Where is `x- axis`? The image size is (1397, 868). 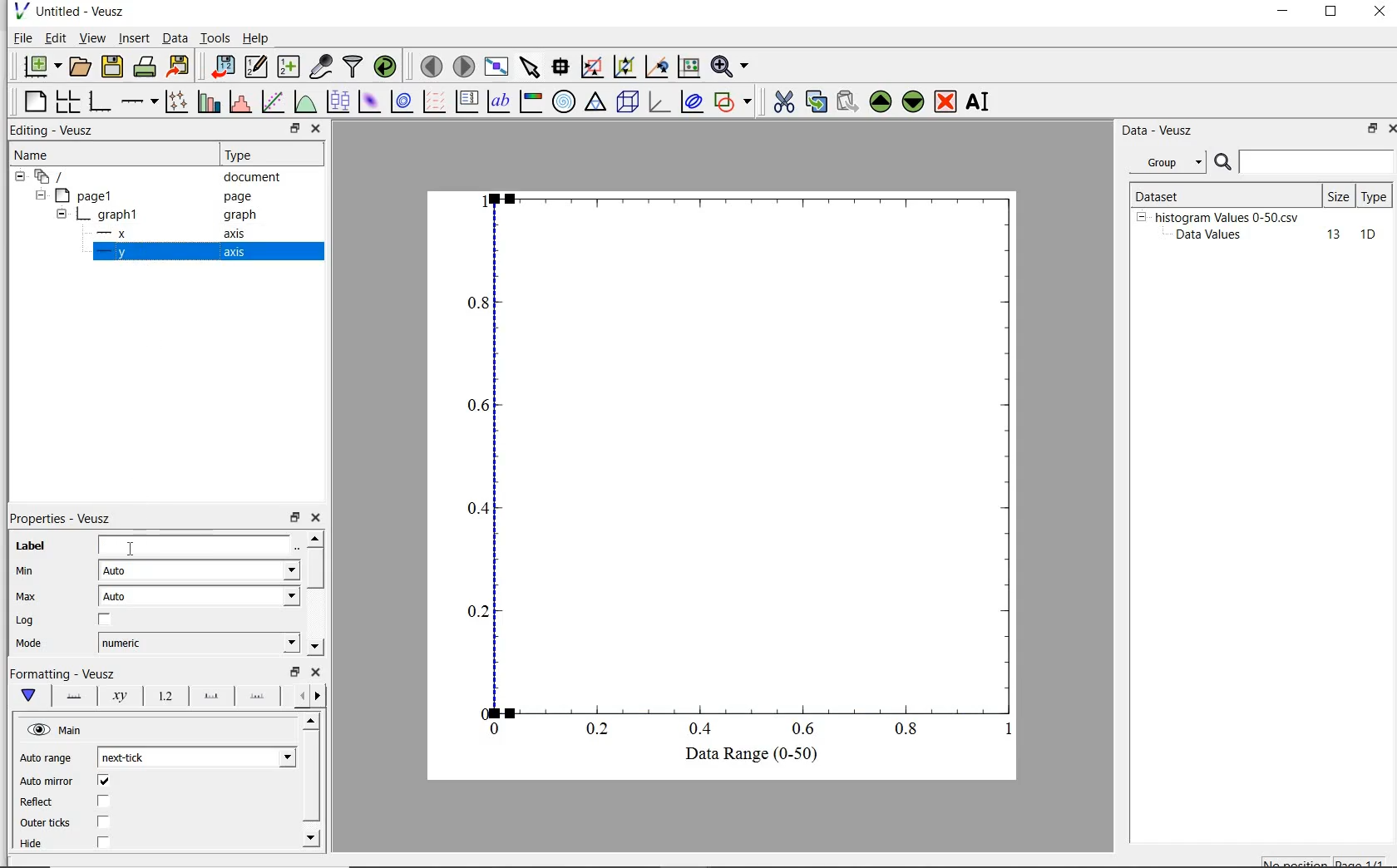
x- axis is located at coordinates (115, 235).